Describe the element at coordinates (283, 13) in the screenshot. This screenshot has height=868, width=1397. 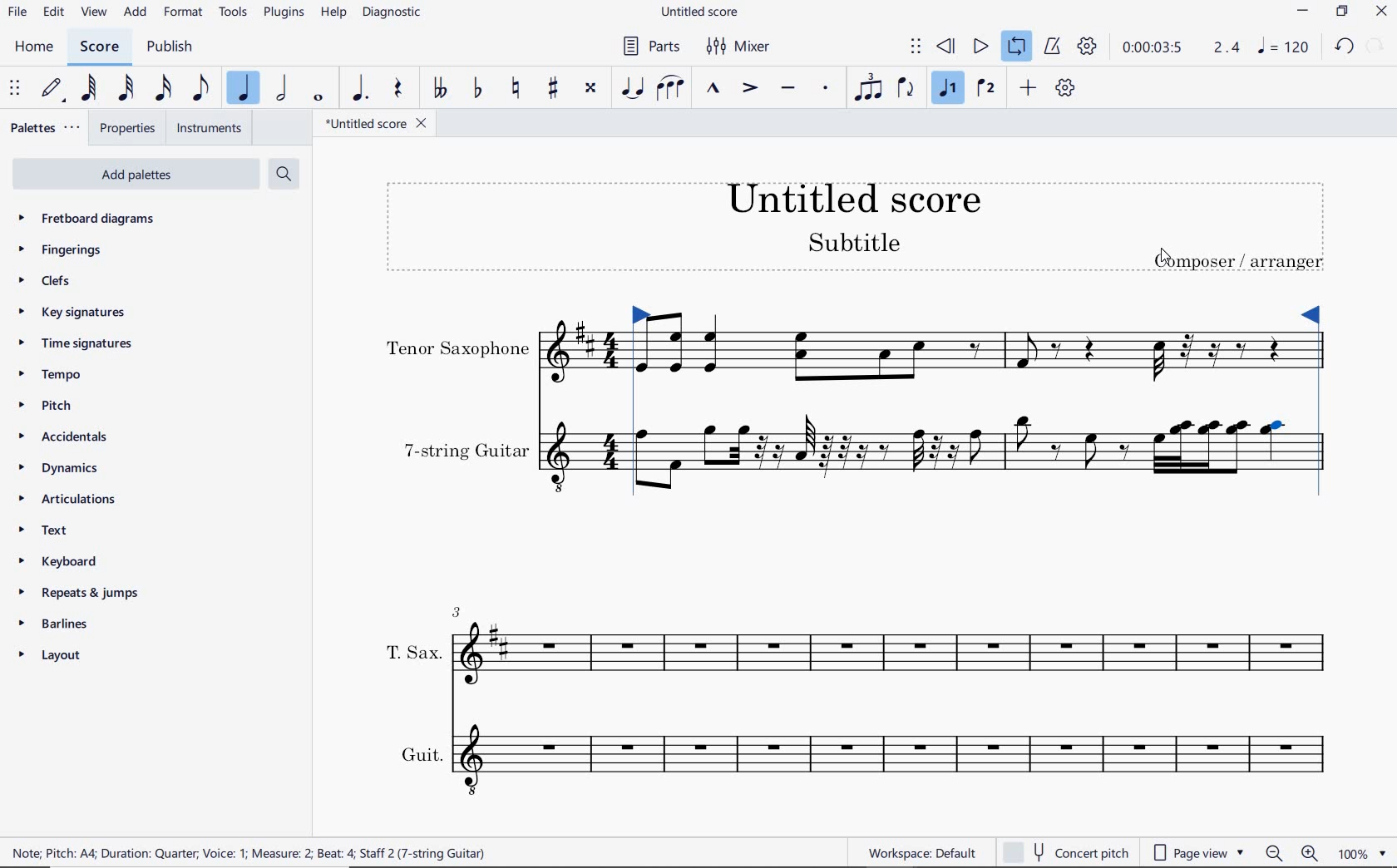
I see `PLUGINS` at that location.